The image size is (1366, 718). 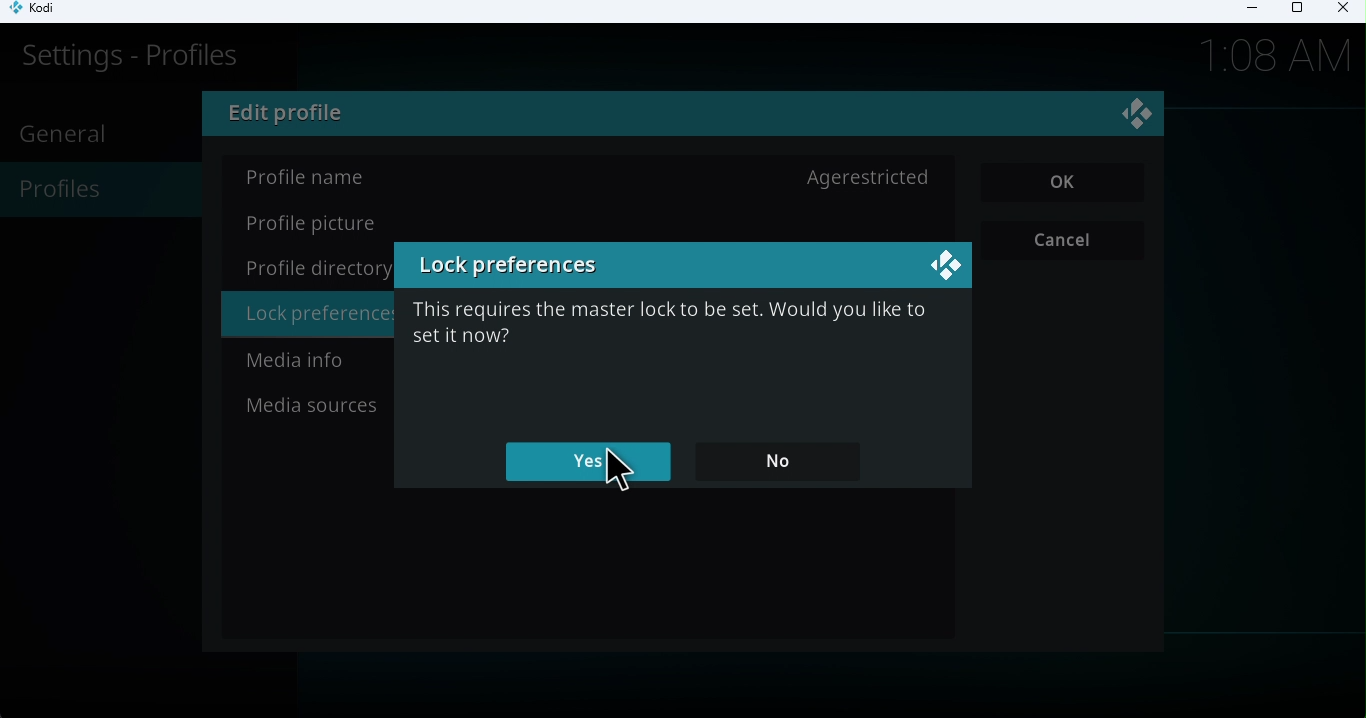 What do you see at coordinates (1340, 11) in the screenshot?
I see `Close` at bounding box center [1340, 11].